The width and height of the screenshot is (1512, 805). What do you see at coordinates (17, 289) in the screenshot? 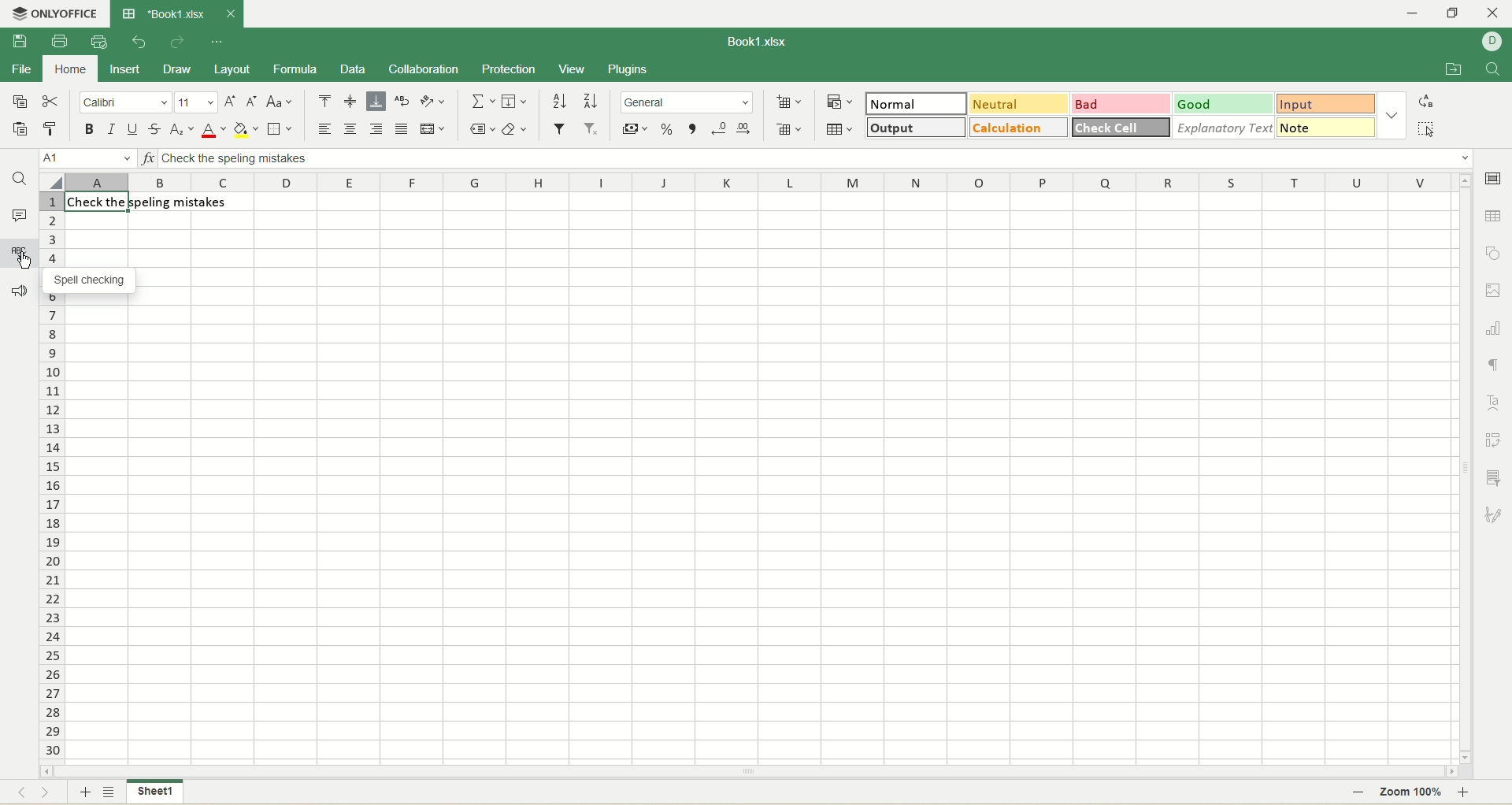
I see `feedback and support` at bounding box center [17, 289].